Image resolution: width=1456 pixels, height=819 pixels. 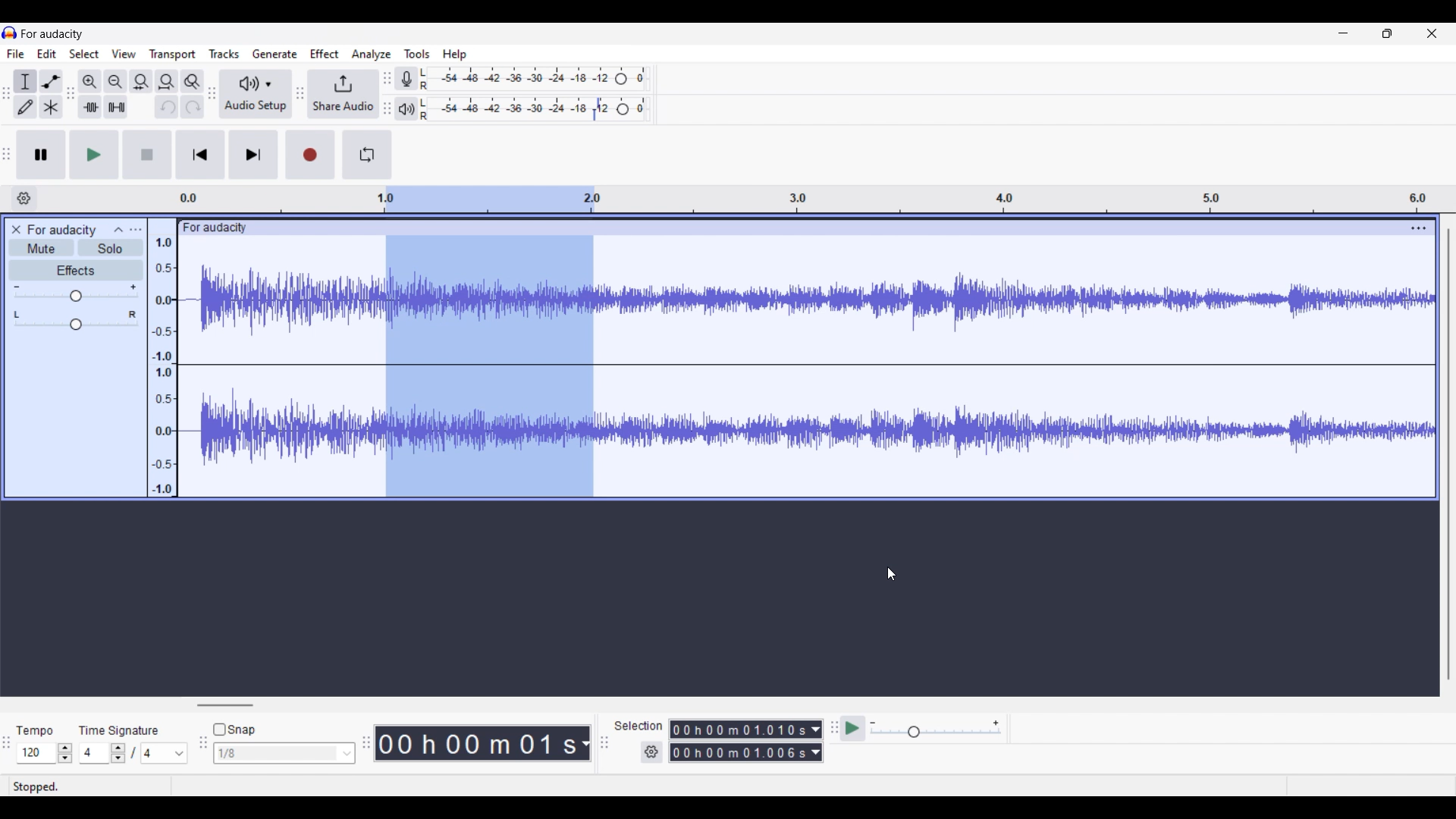 What do you see at coordinates (90, 107) in the screenshot?
I see `Trim audio outside selection` at bounding box center [90, 107].